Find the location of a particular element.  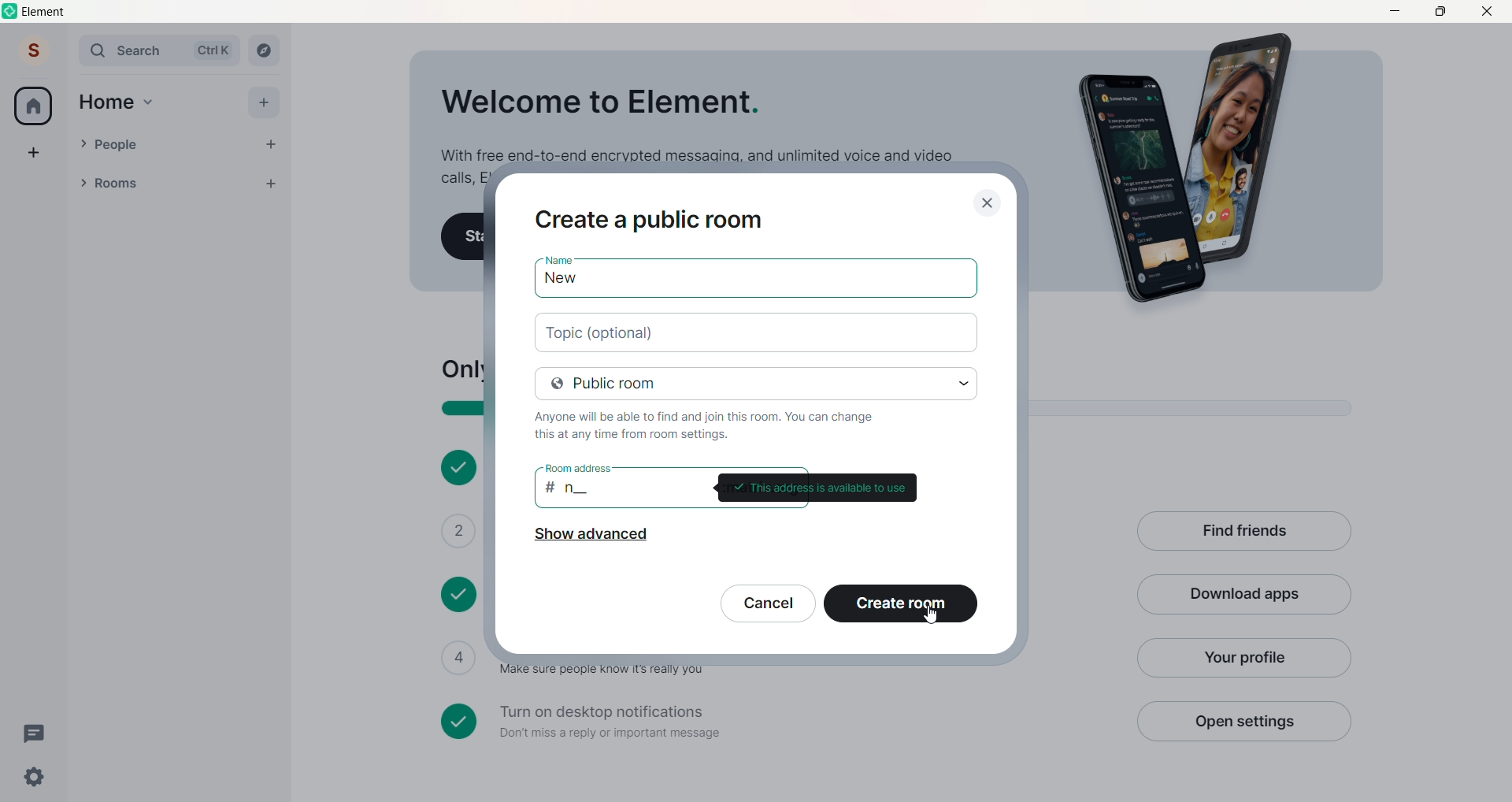

room address is located at coordinates (576, 467).